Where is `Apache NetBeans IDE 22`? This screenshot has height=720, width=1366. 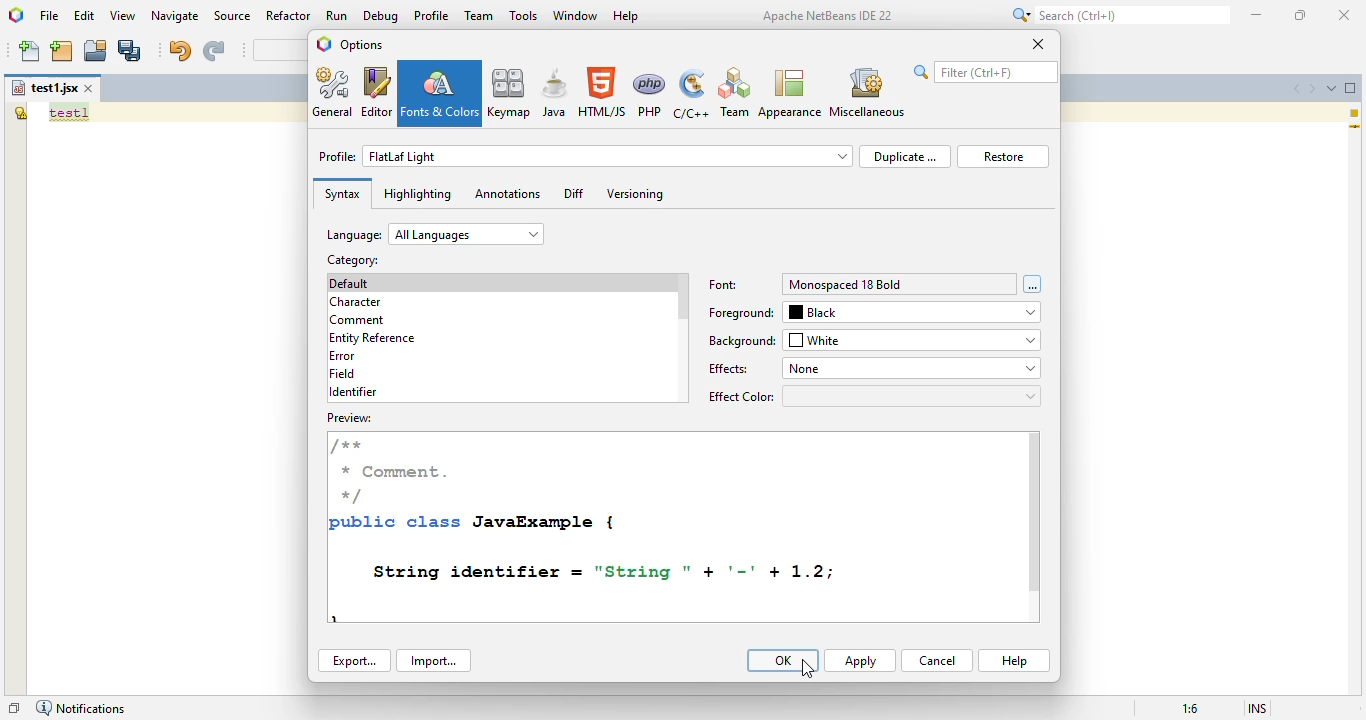
Apache NetBeans IDE 22 is located at coordinates (828, 15).